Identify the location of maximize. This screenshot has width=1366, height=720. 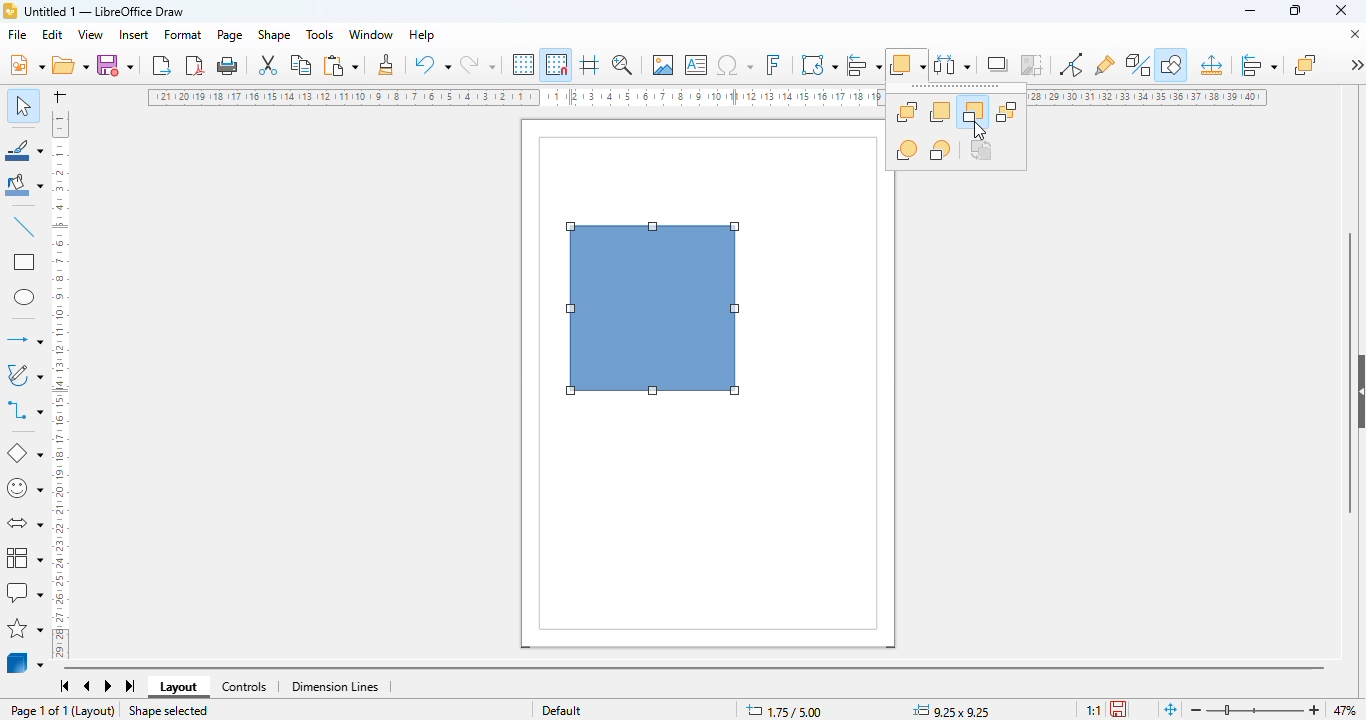
(1295, 10).